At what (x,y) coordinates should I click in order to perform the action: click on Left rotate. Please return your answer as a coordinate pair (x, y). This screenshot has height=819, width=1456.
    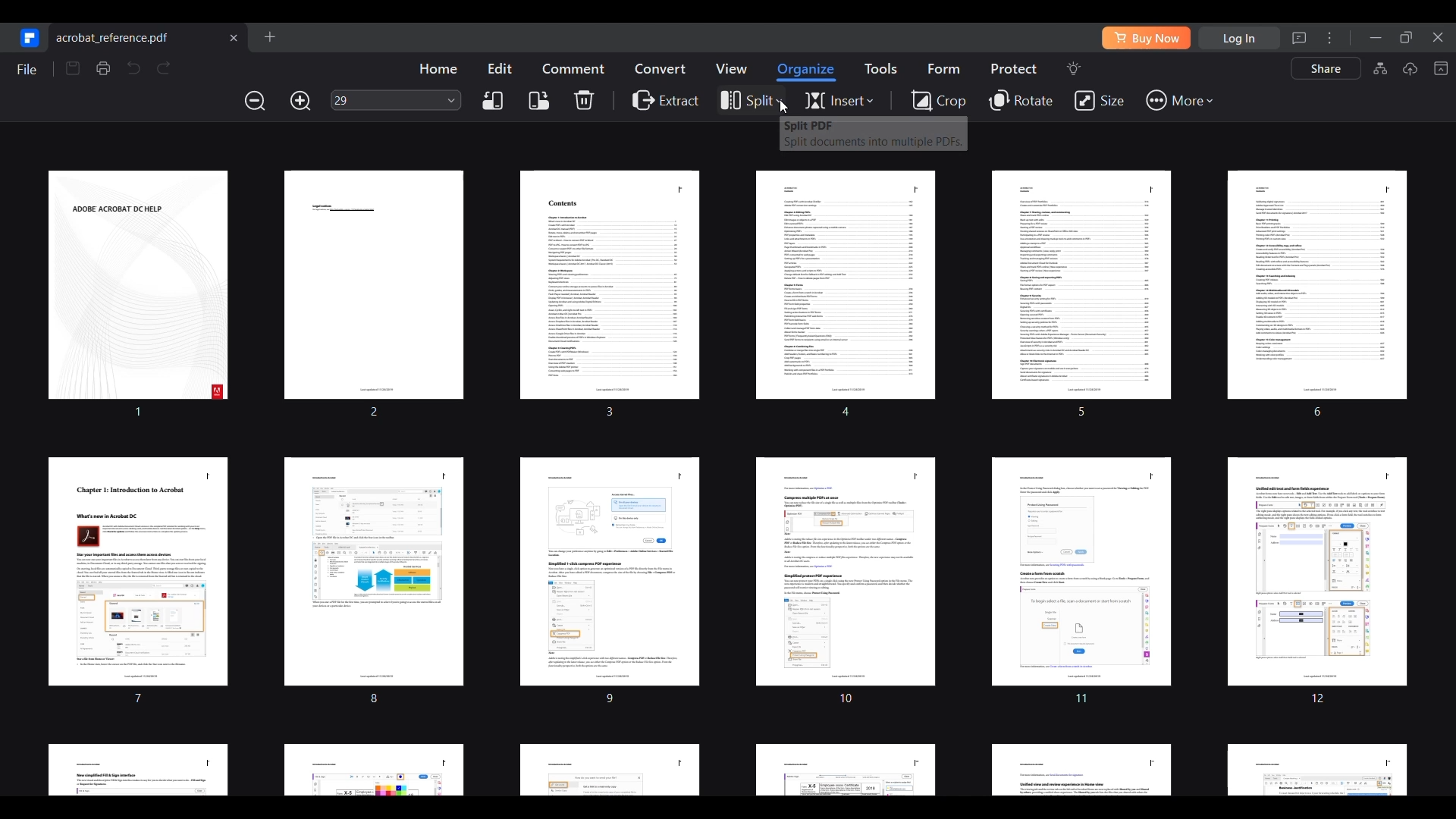
    Looking at the image, I should click on (492, 101).